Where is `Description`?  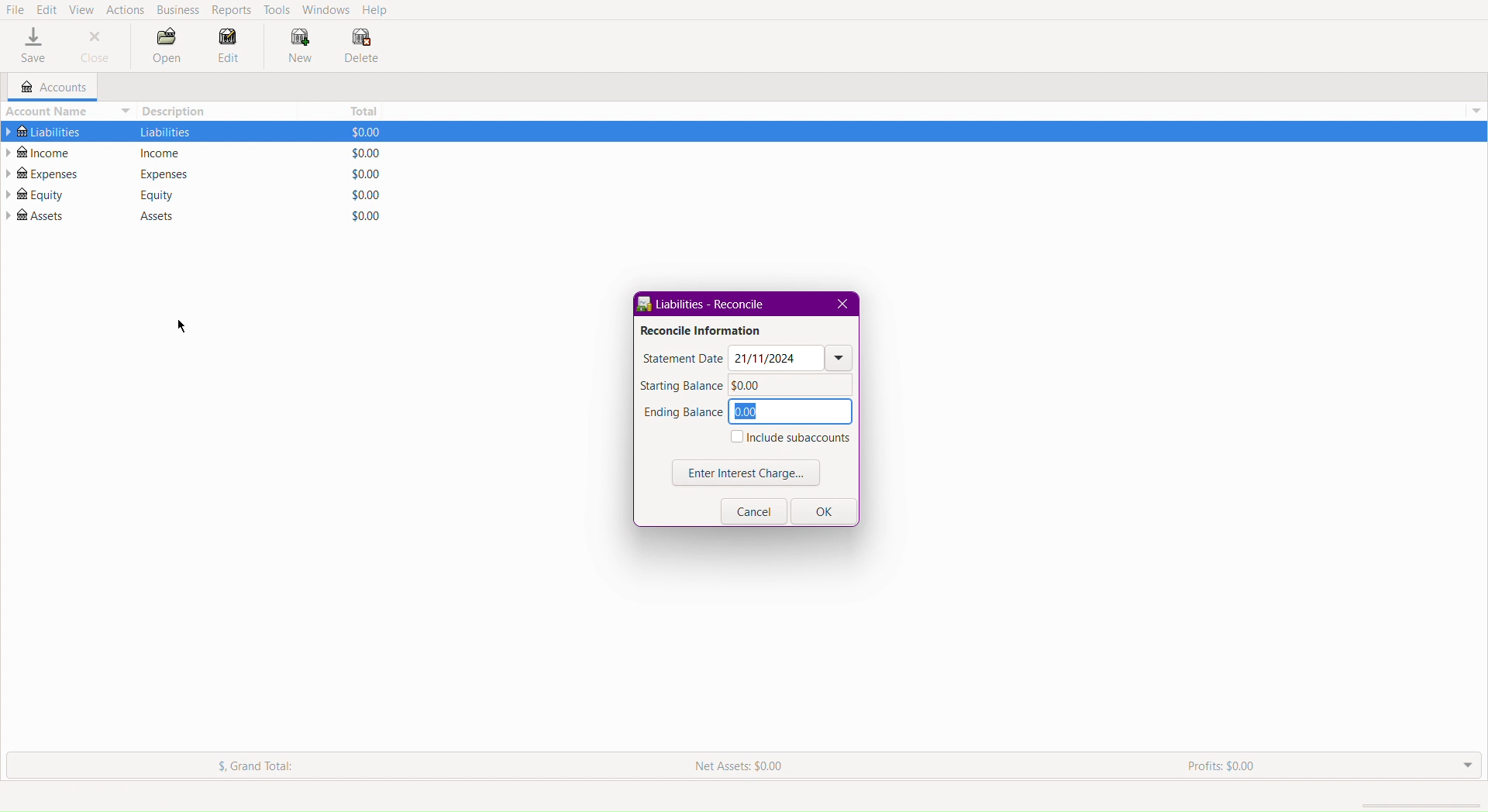
Description is located at coordinates (161, 153).